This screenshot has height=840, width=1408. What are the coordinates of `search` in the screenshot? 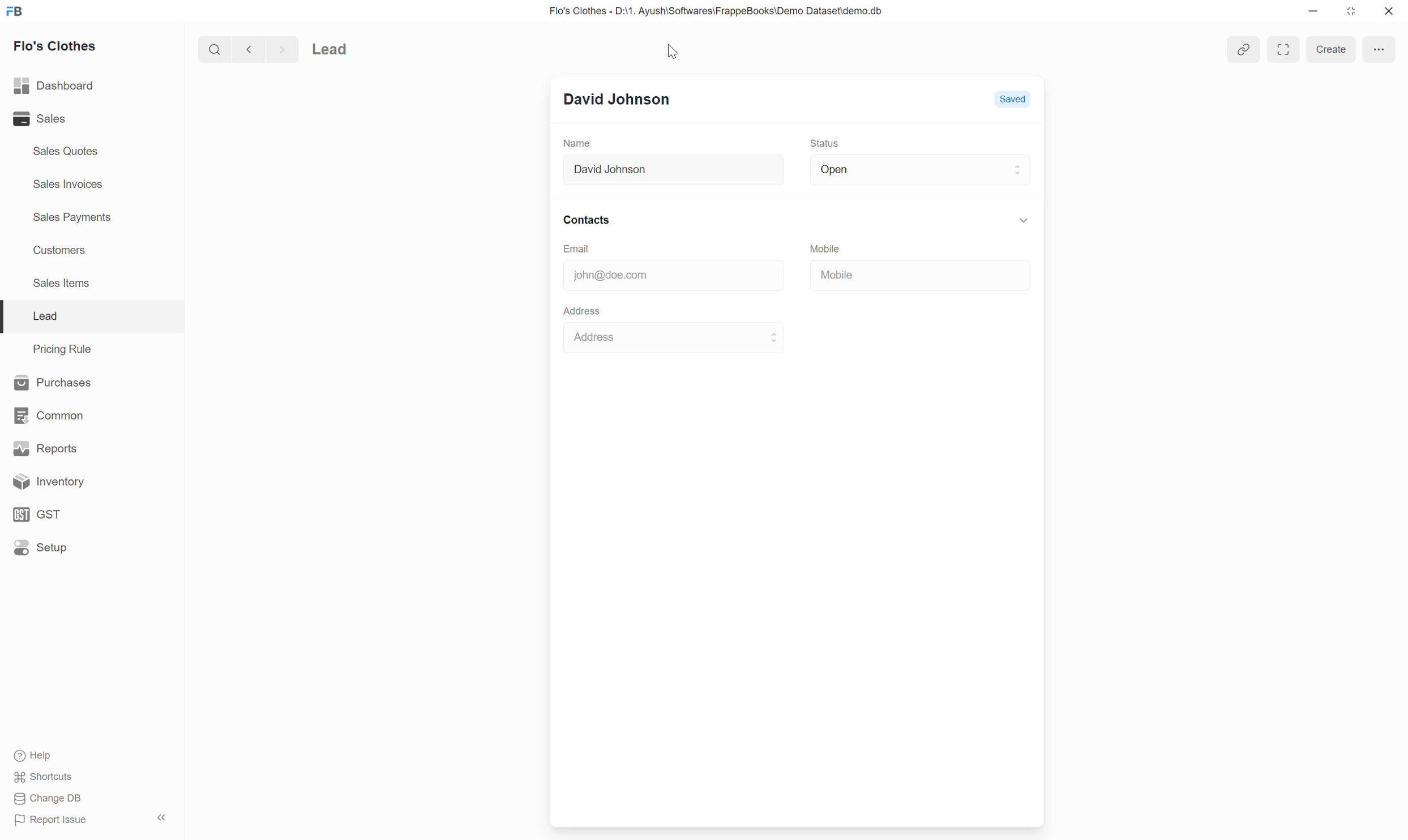 It's located at (213, 48).